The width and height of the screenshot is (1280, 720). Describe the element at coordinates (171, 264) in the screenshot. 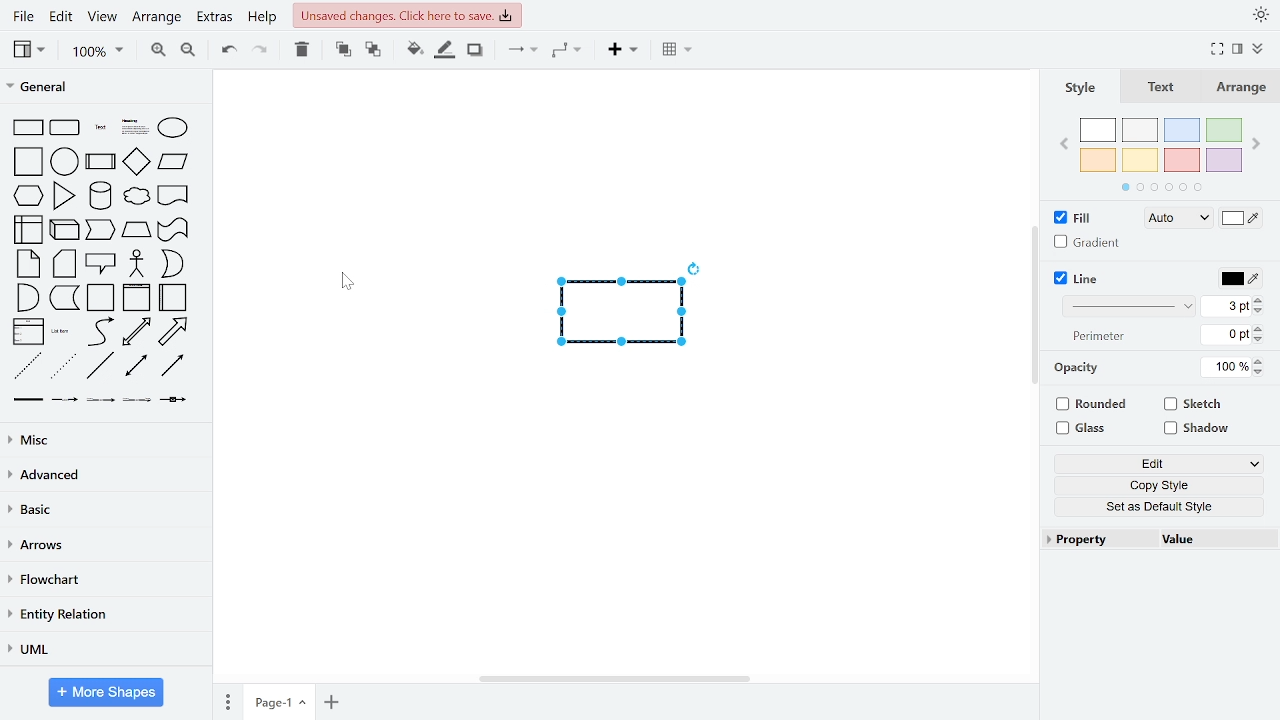

I see `general shapes` at that location.